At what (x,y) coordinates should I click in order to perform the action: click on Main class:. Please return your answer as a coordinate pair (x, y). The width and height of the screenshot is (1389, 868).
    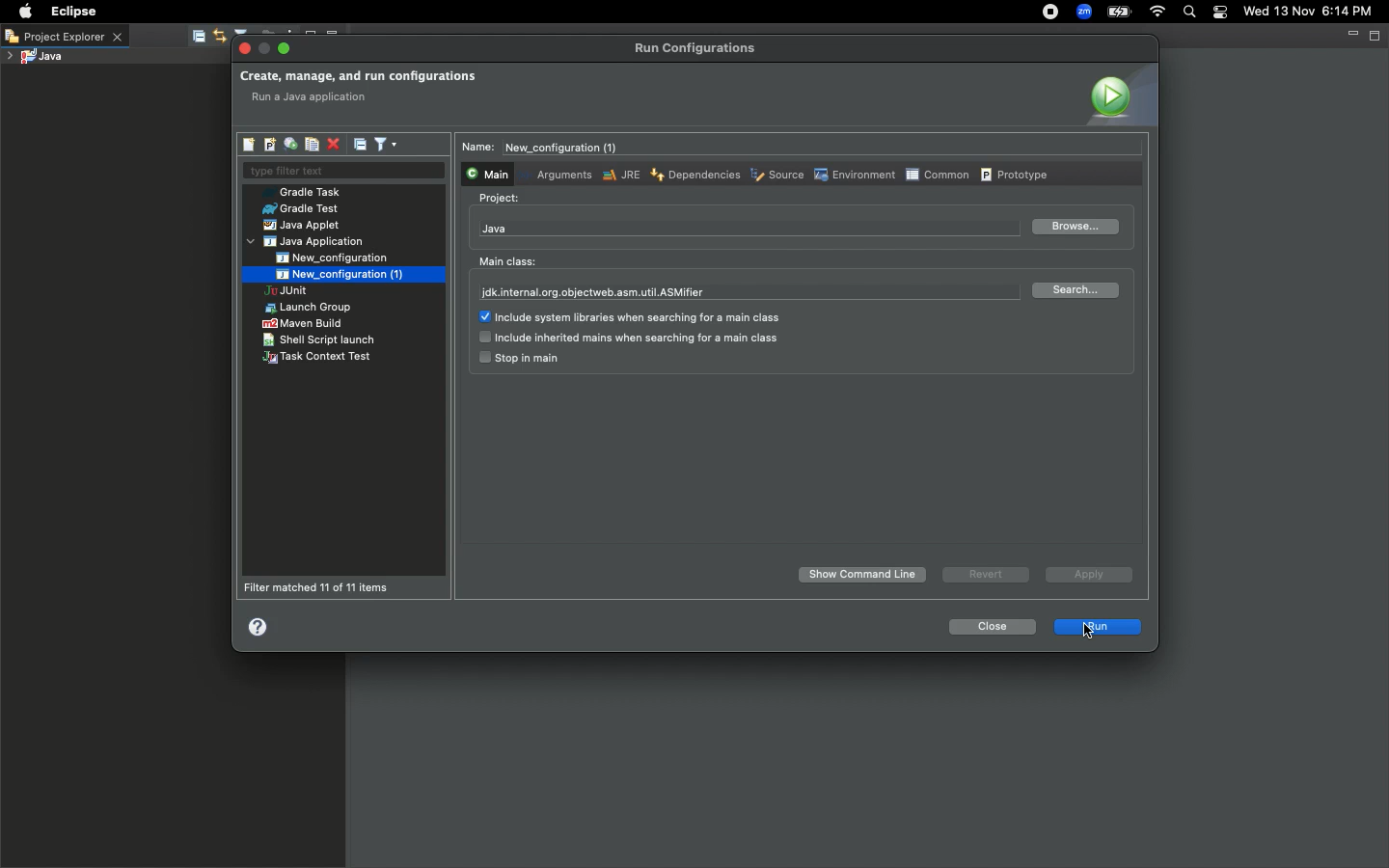
    Looking at the image, I should click on (507, 261).